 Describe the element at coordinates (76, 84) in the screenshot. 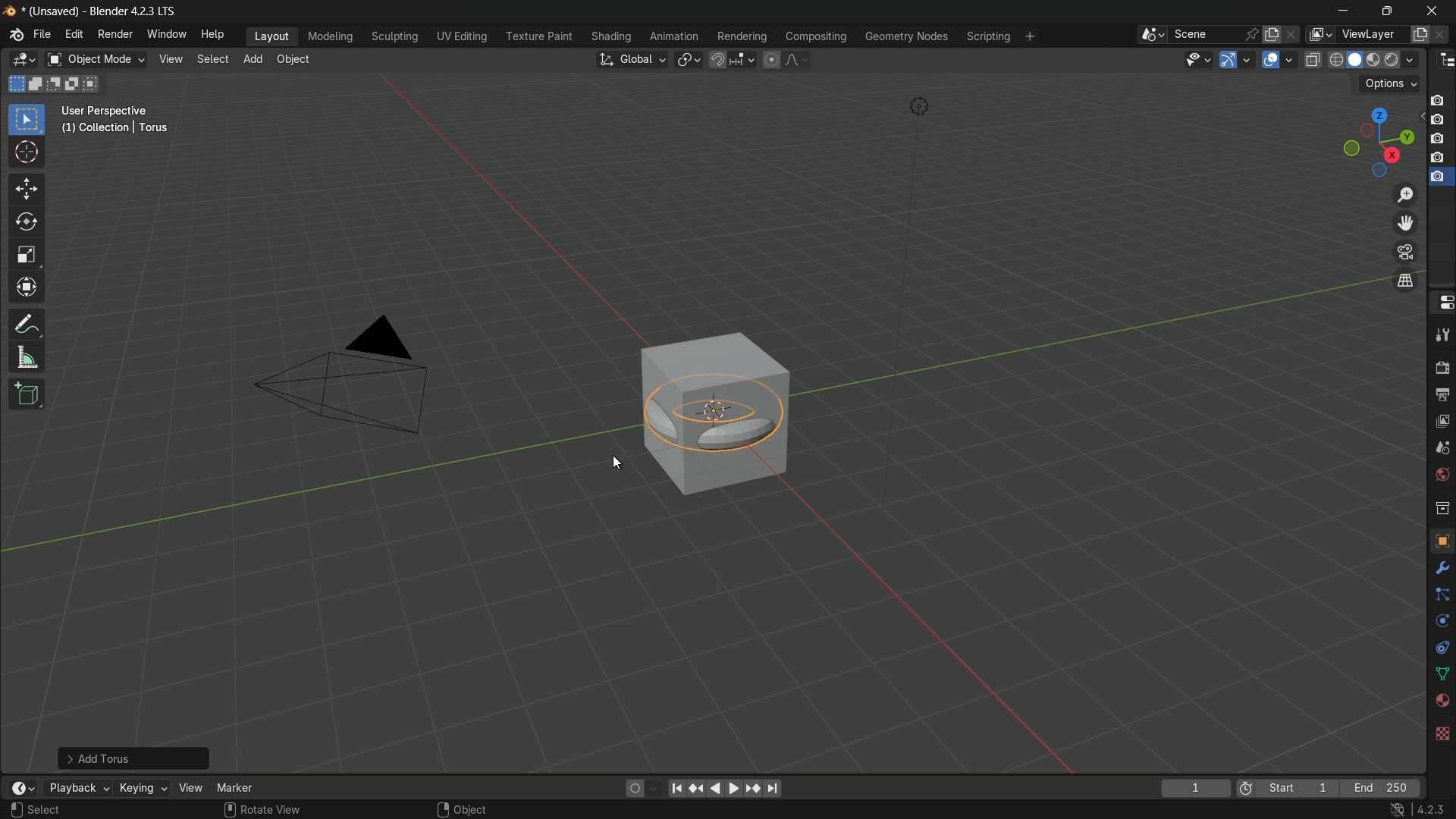

I see `invert existing selection` at that location.